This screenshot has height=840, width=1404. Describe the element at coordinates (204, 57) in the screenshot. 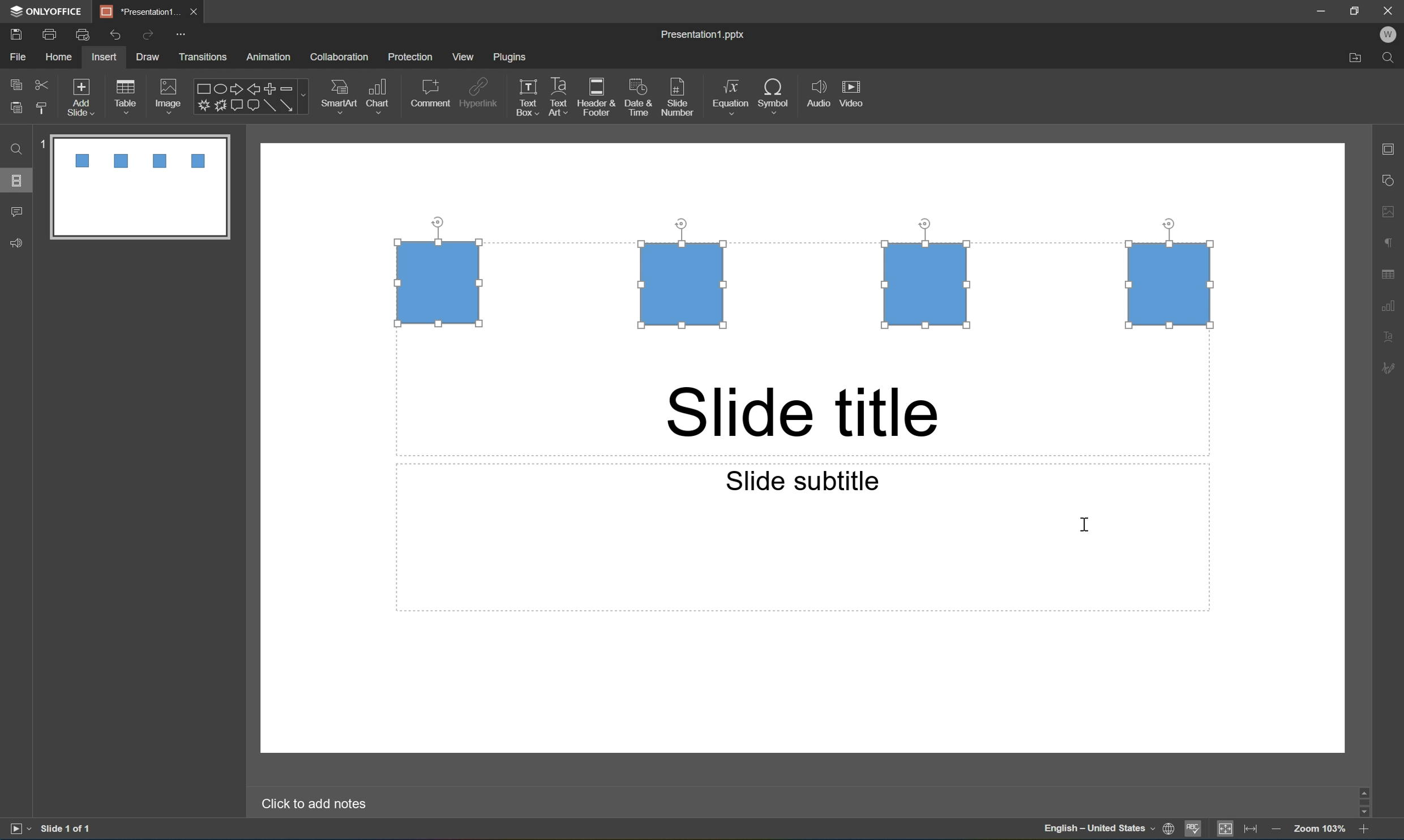

I see `transitions` at that location.